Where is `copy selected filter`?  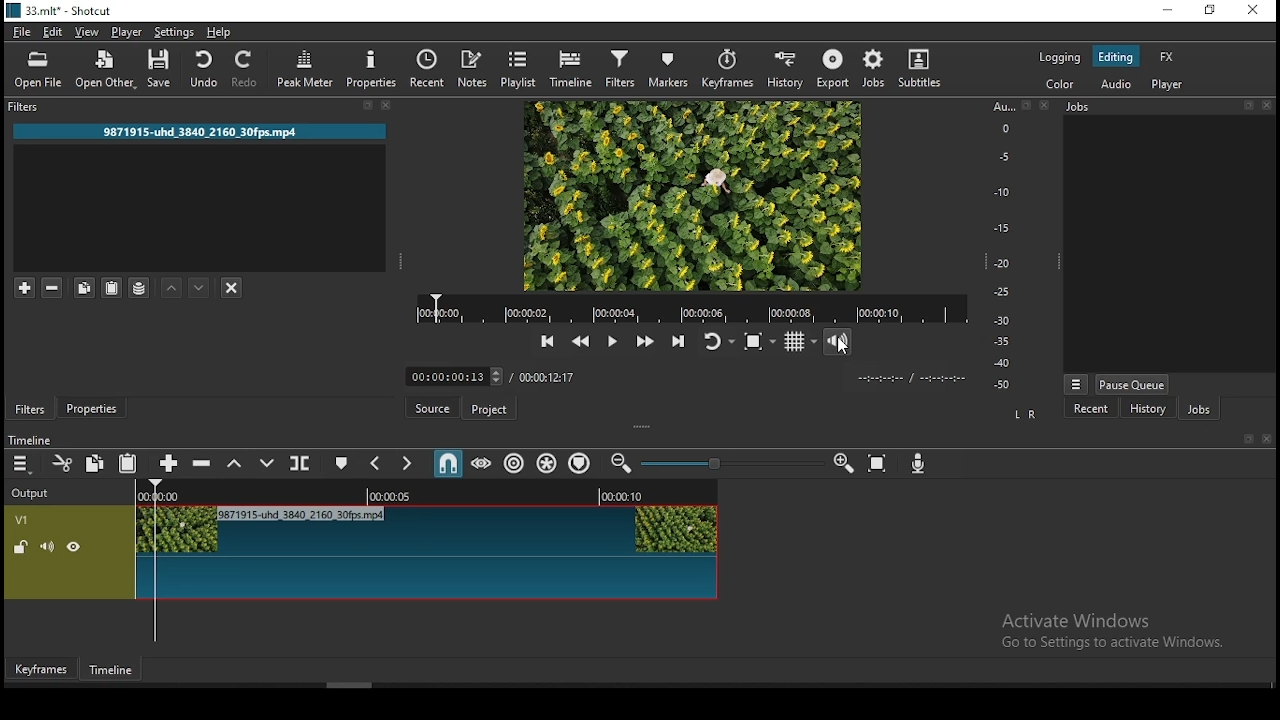
copy selected filter is located at coordinates (81, 286).